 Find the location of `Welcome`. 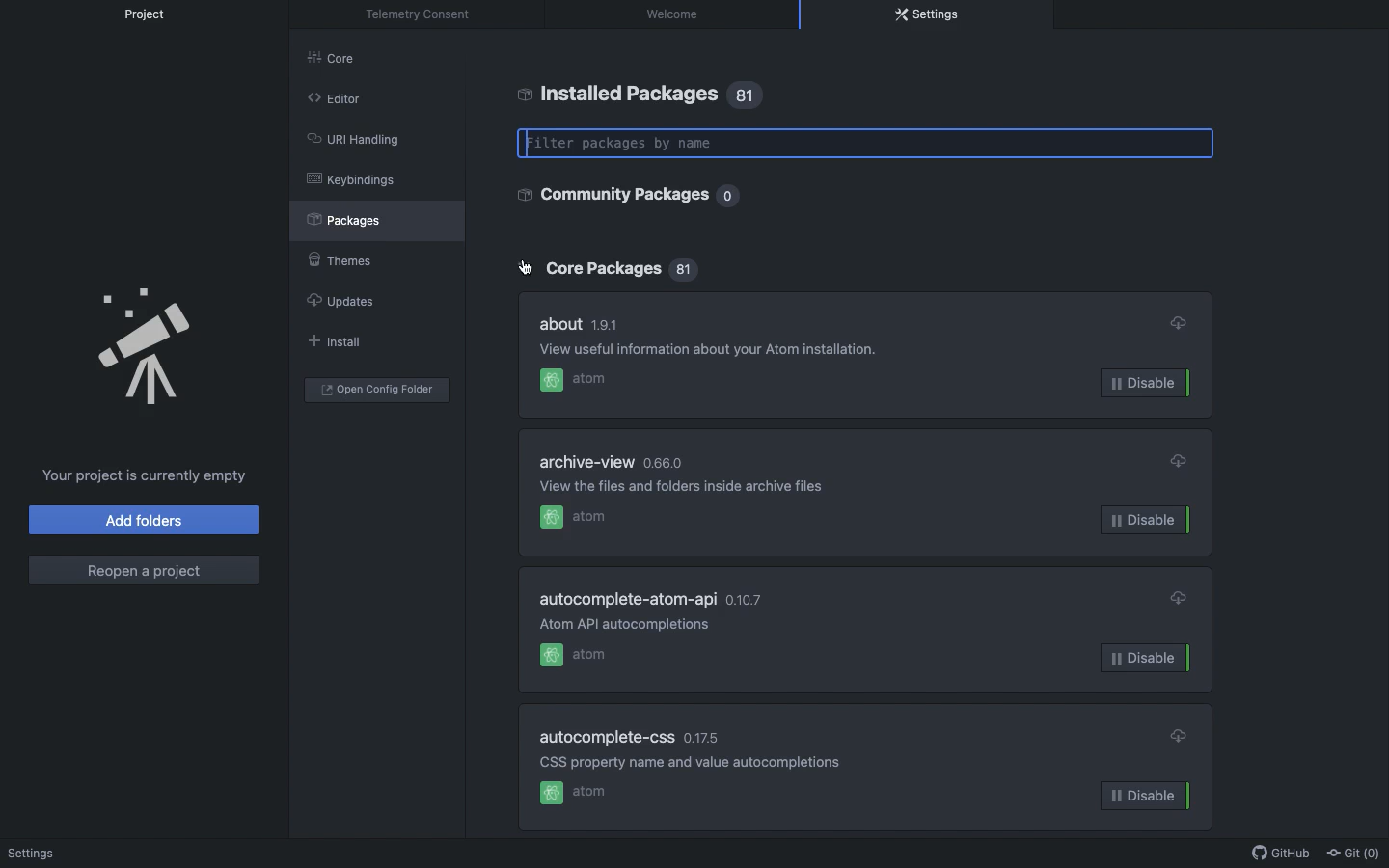

Welcome is located at coordinates (676, 14).